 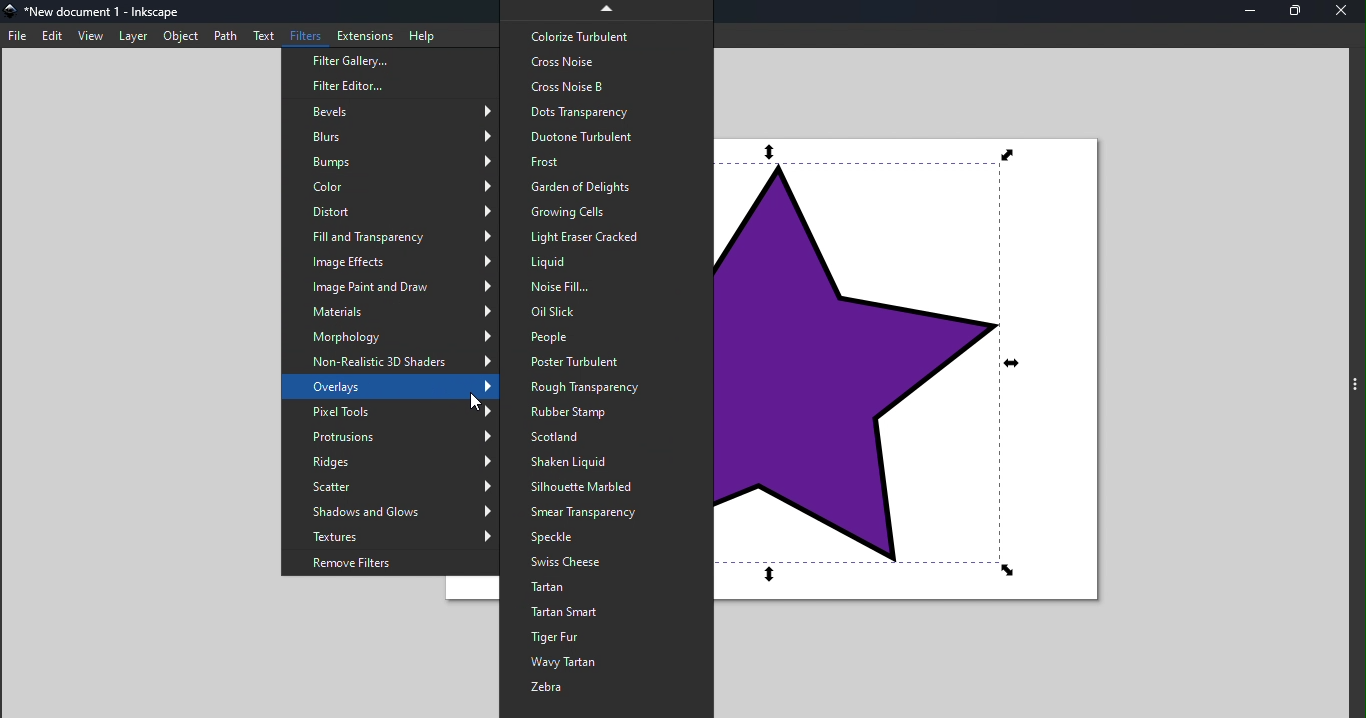 What do you see at coordinates (607, 563) in the screenshot?
I see `Swiss cheese` at bounding box center [607, 563].